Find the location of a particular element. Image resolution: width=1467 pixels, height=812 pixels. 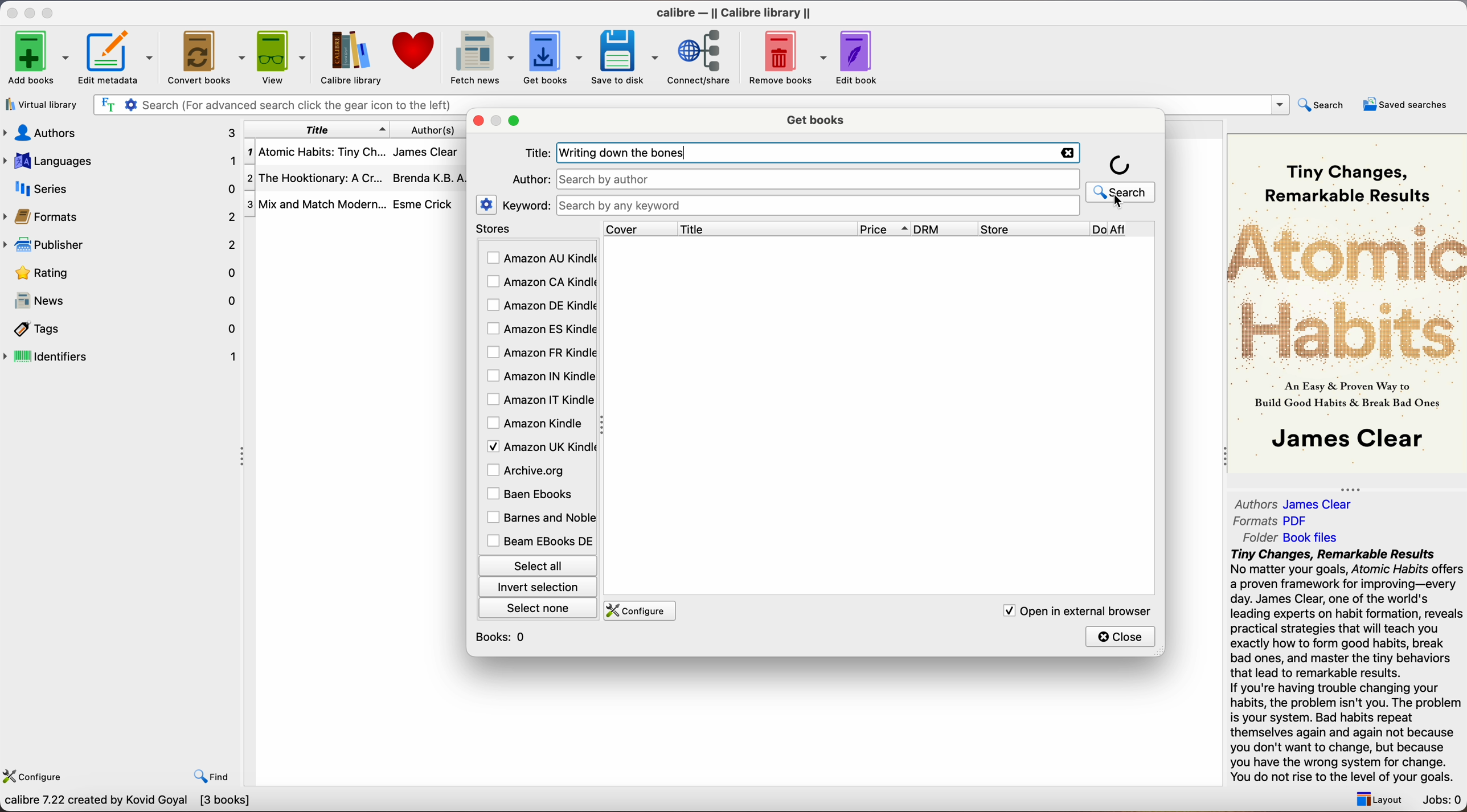

remove books is located at coordinates (788, 59).